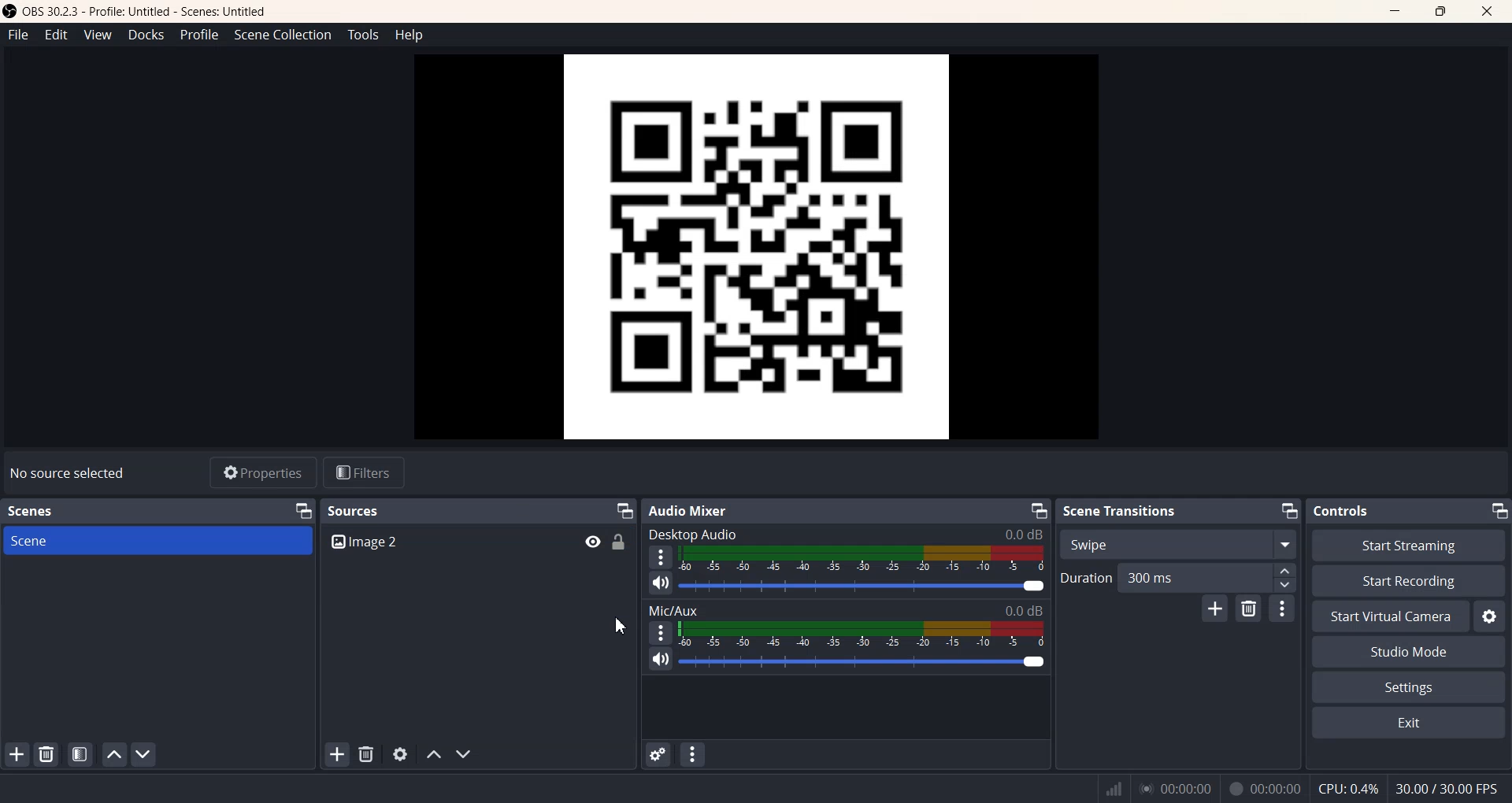 The image size is (1512, 803). I want to click on More, so click(658, 634).